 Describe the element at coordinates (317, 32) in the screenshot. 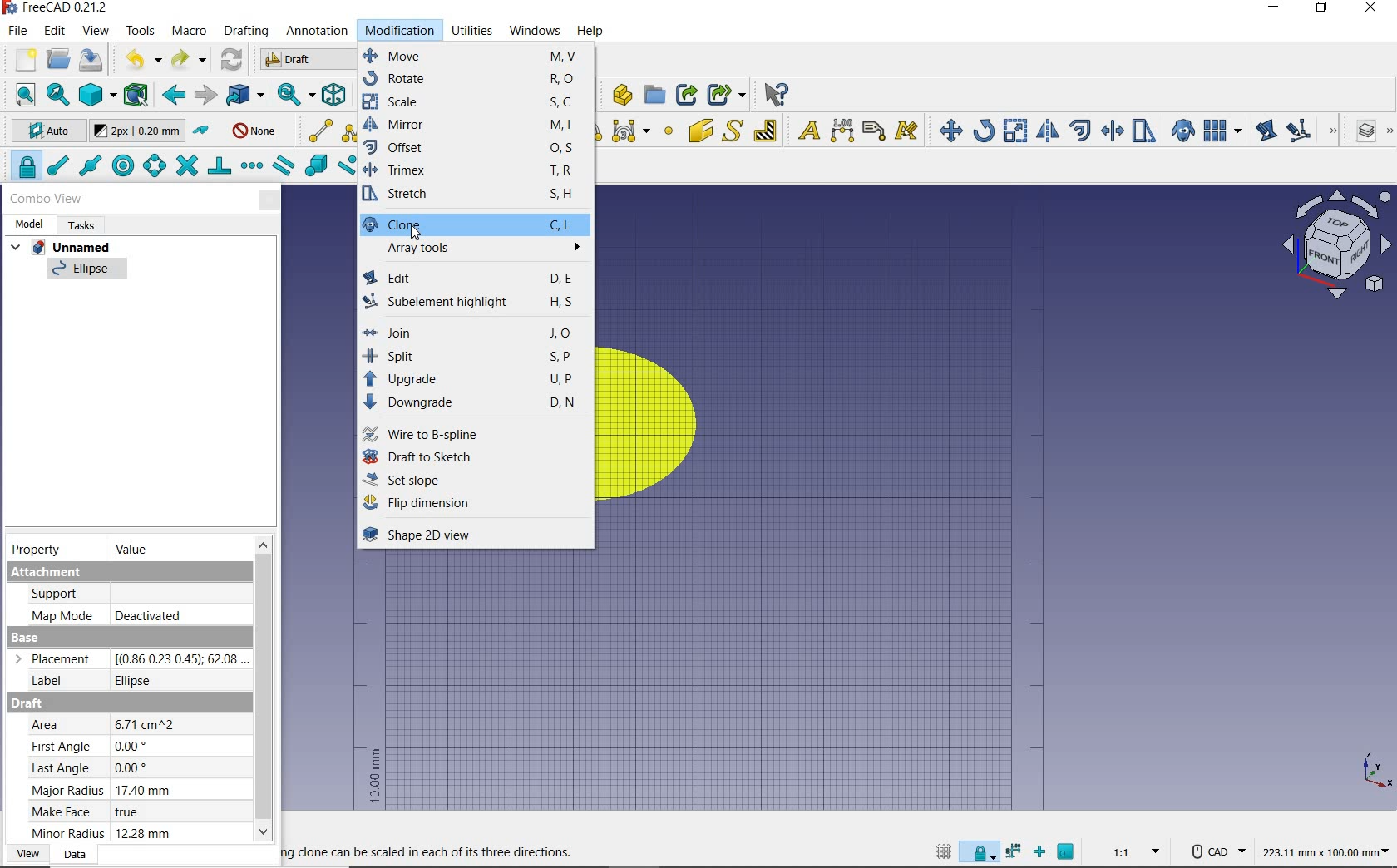

I see `annotation` at that location.